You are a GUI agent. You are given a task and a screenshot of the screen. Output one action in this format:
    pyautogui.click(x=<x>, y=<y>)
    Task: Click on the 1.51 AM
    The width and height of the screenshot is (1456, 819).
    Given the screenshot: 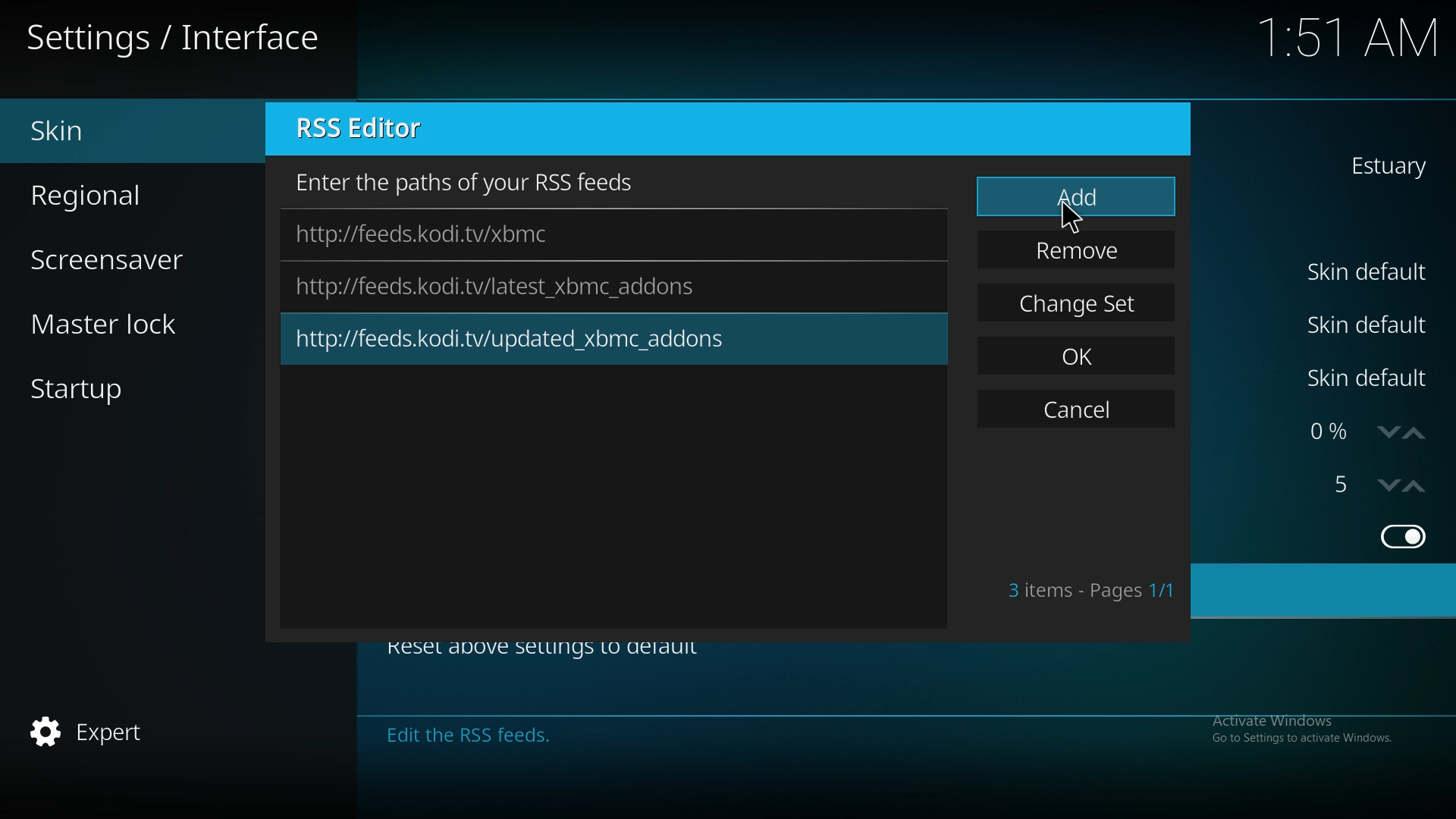 What is the action you would take?
    pyautogui.click(x=1347, y=39)
    